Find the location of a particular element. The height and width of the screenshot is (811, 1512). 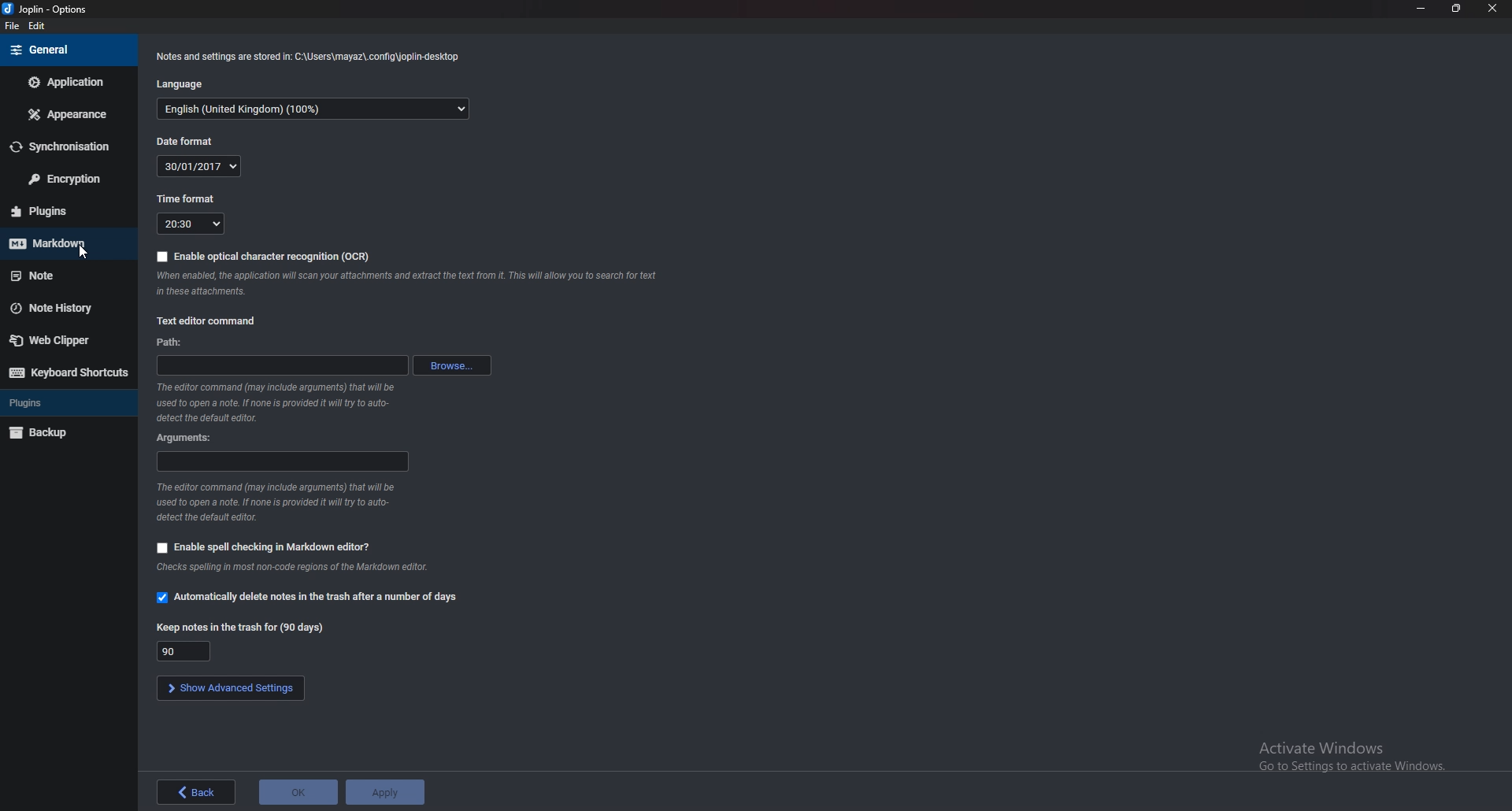

plugins is located at coordinates (65, 210).